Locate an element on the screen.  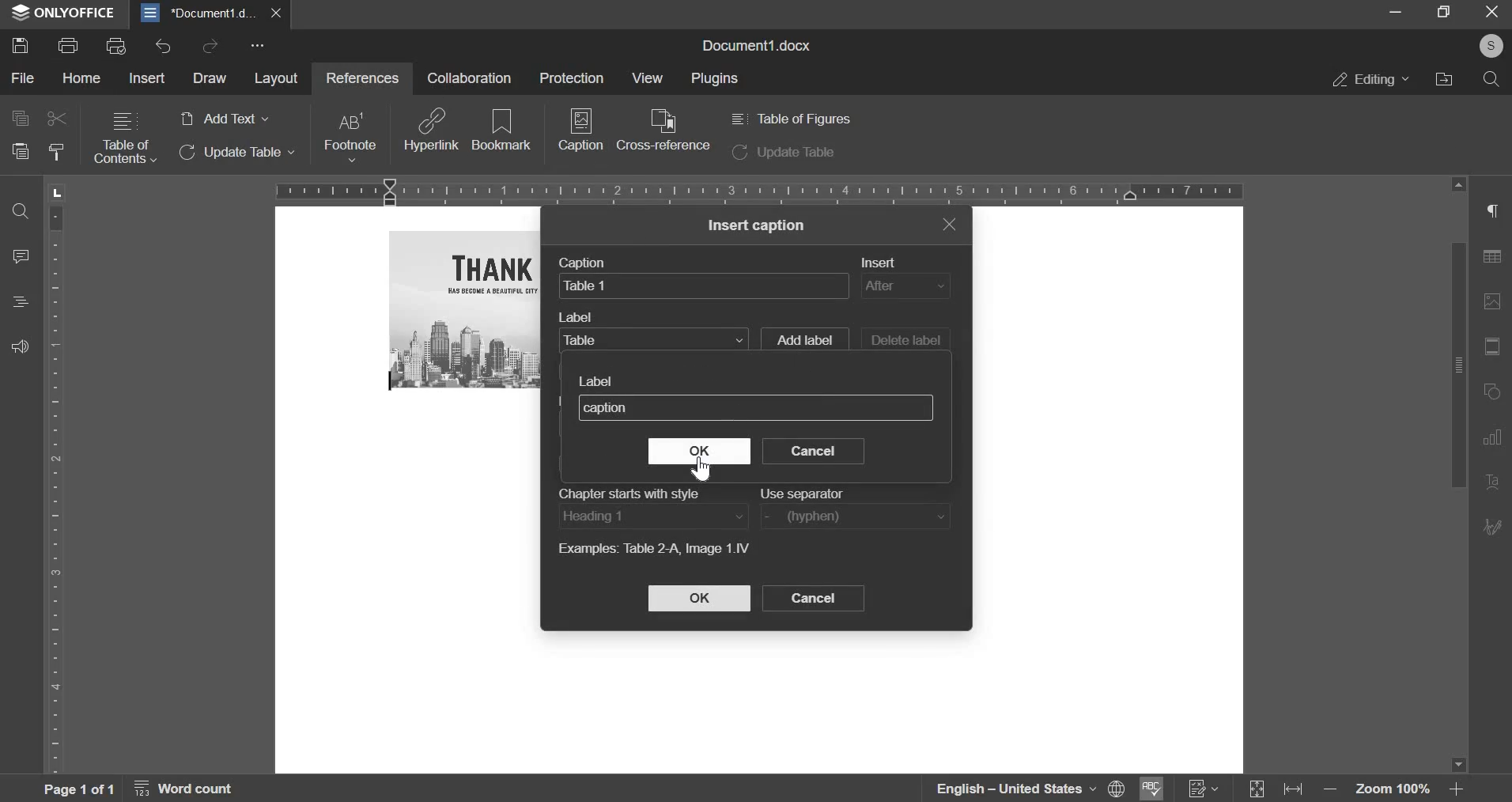
Spell Checking is located at coordinates (1149, 789).